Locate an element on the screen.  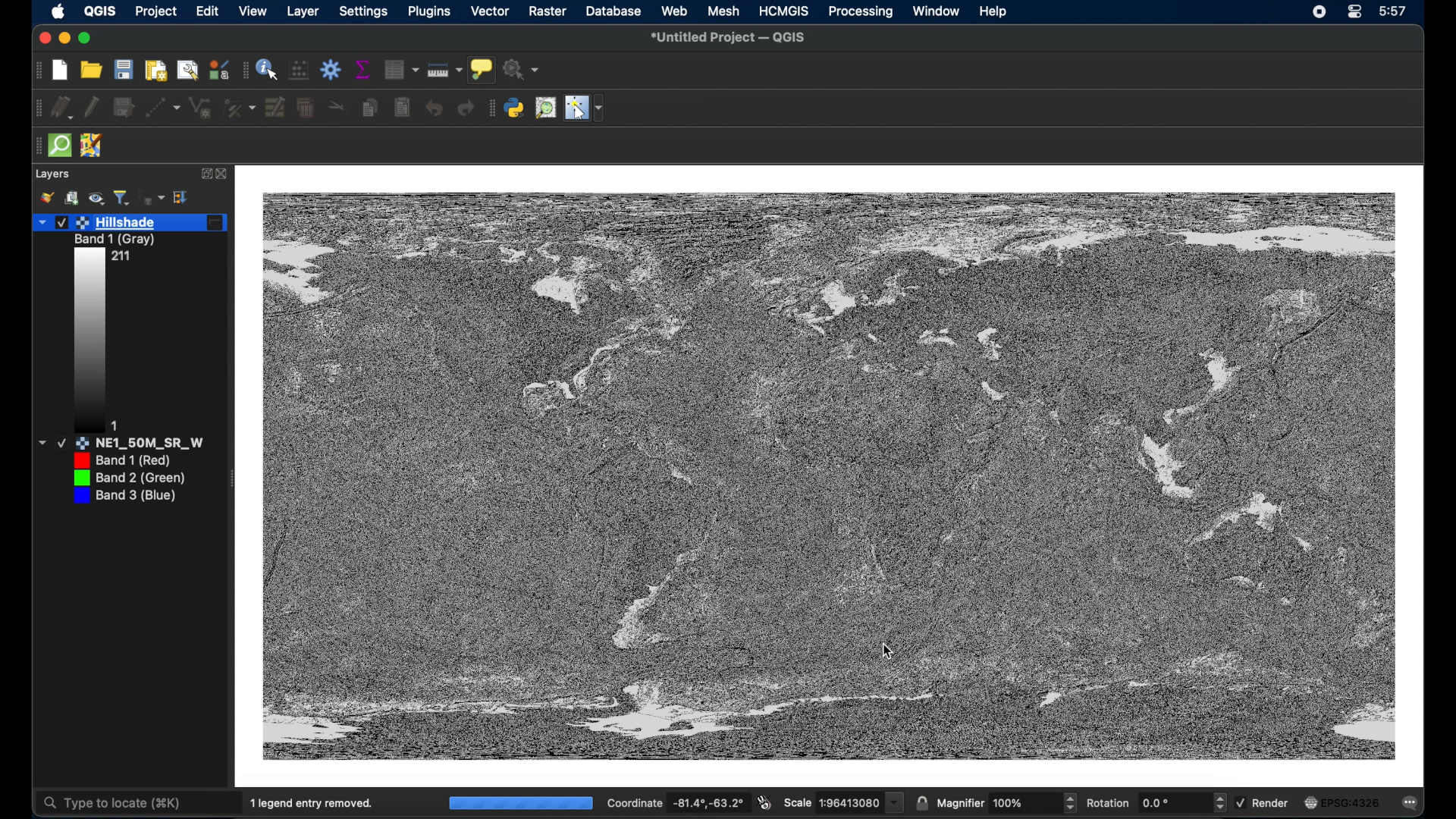
increase/decrease arrows is located at coordinates (1222, 804).